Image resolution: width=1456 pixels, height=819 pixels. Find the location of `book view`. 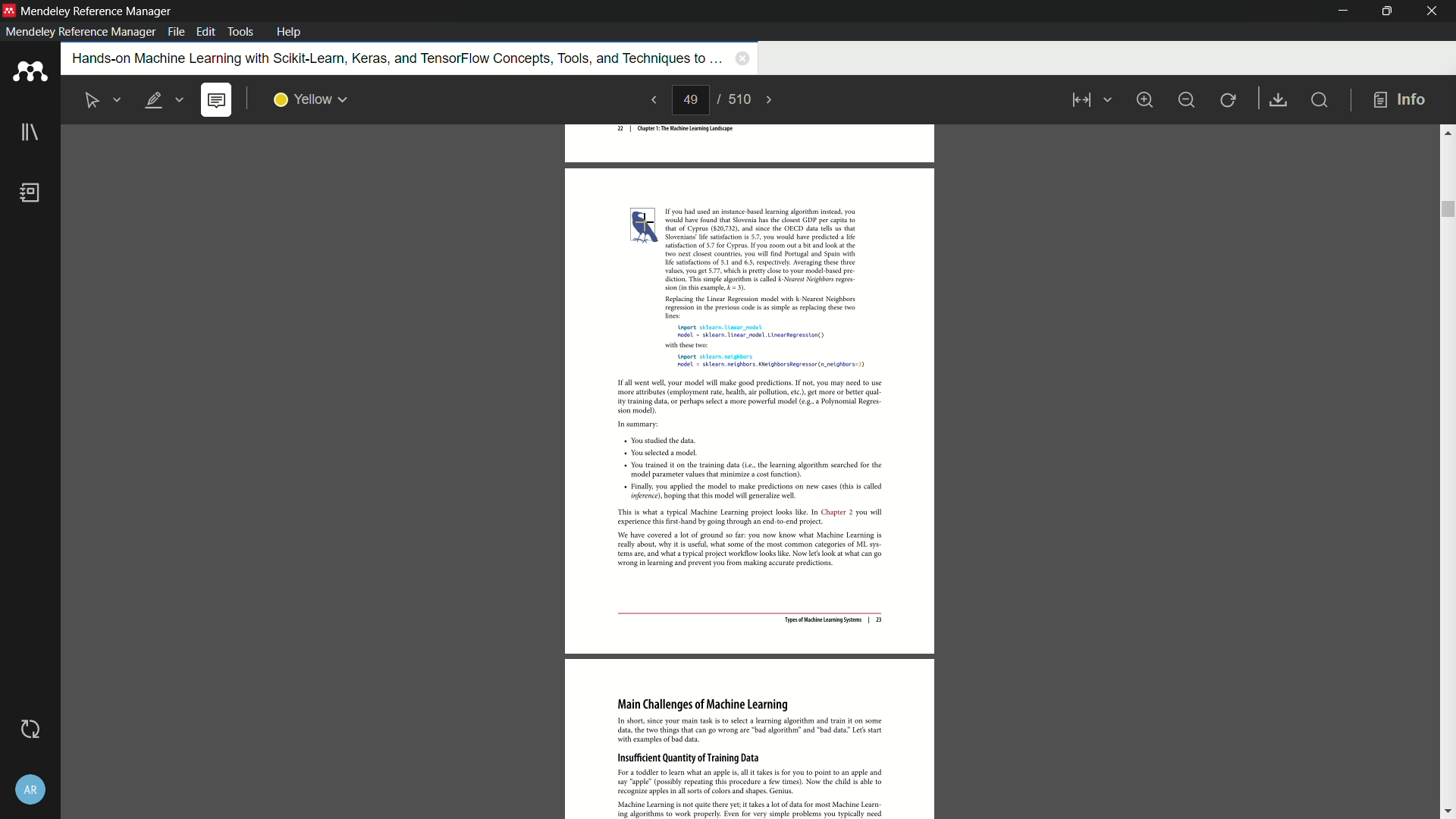

book view is located at coordinates (1087, 102).